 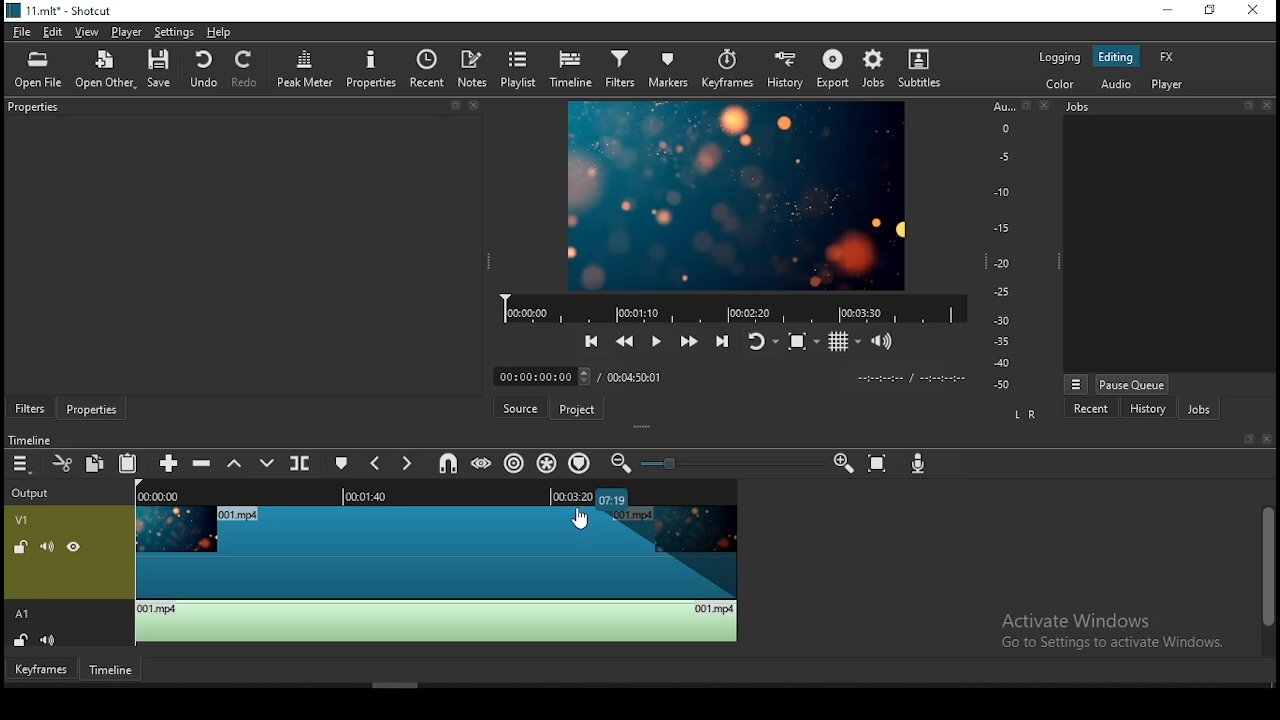 I want to click on history, so click(x=782, y=70).